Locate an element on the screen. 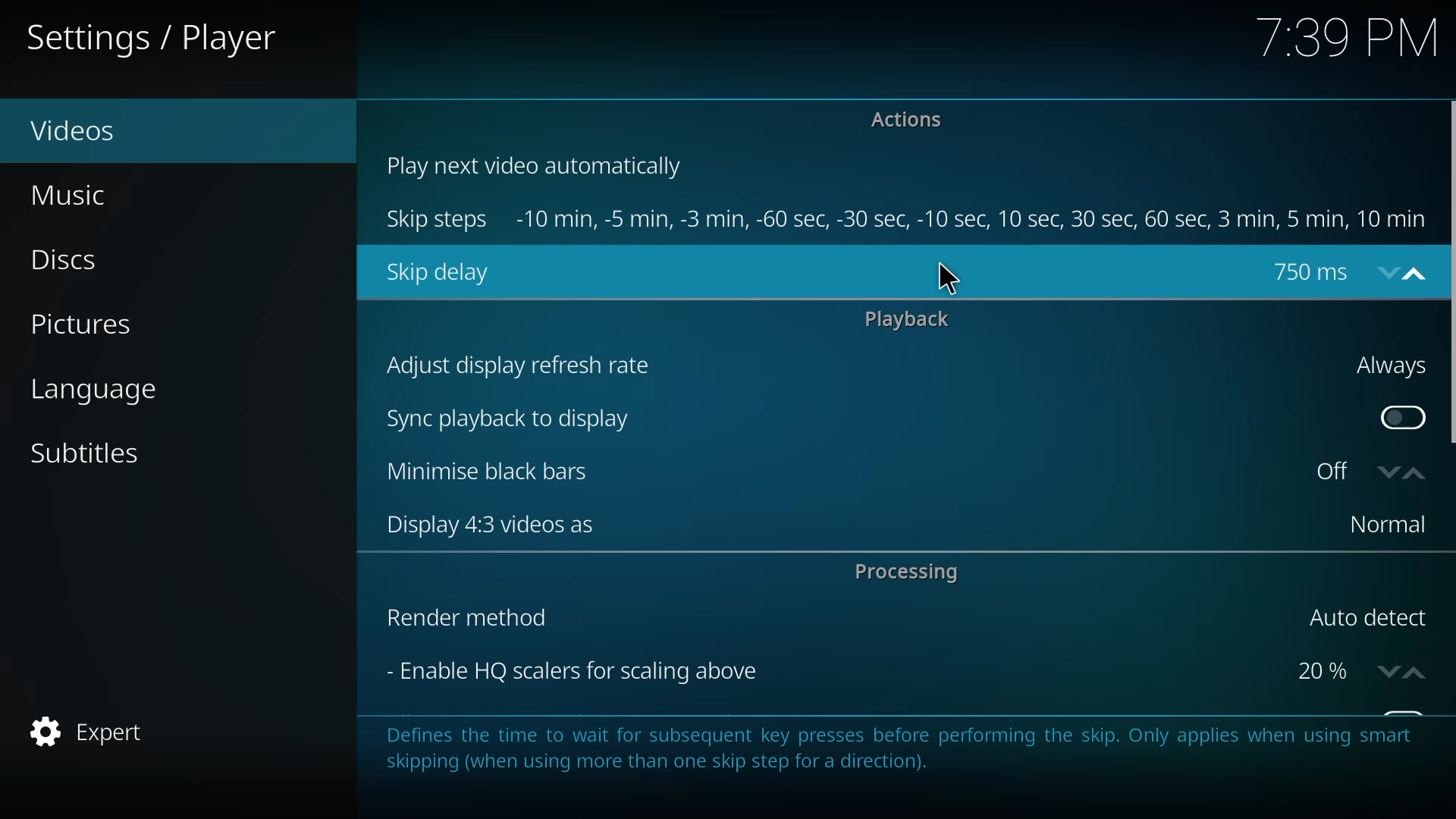  always configured is located at coordinates (1385, 366).